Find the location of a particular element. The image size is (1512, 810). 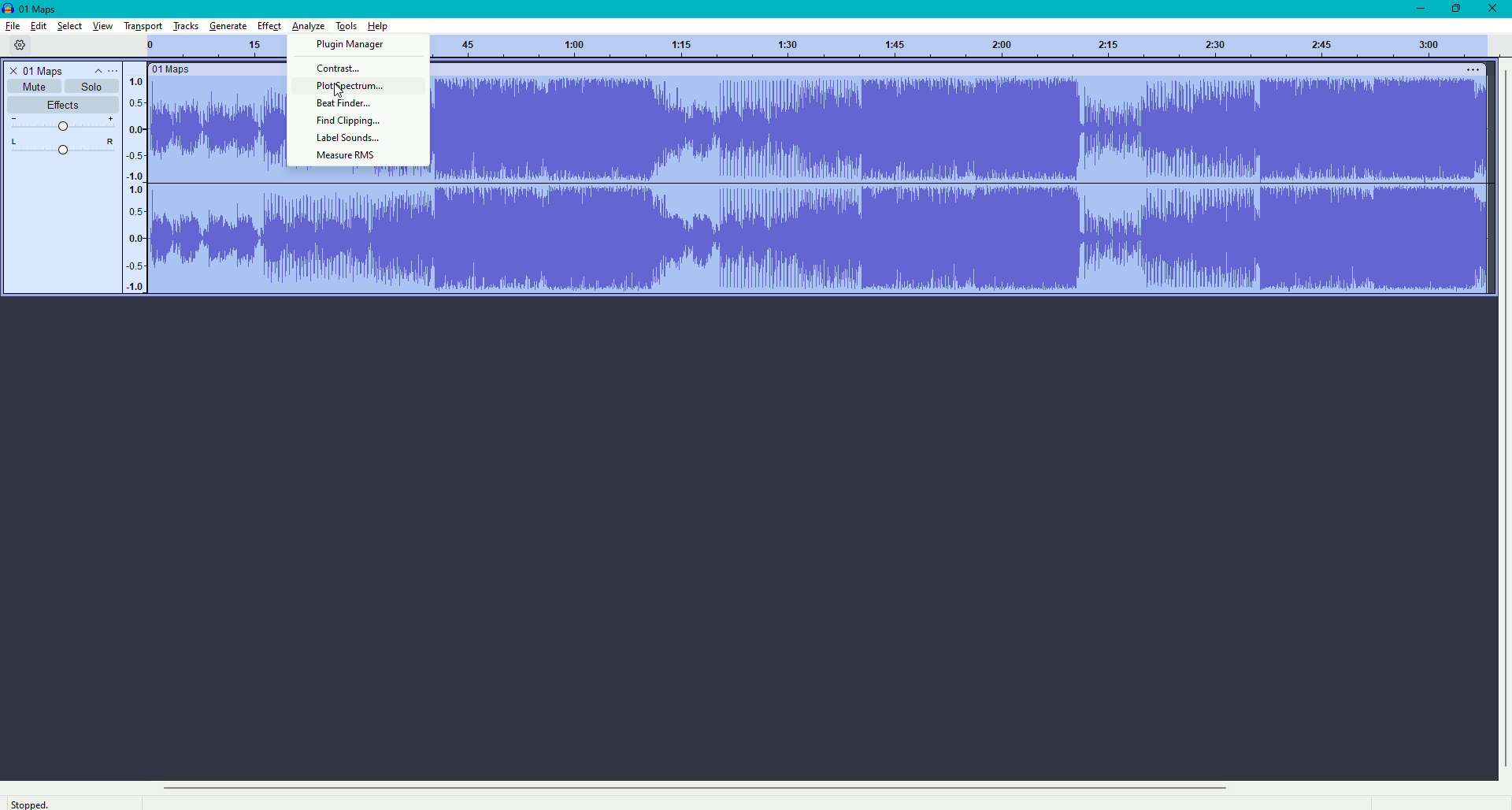

Contrast is located at coordinates (345, 69).